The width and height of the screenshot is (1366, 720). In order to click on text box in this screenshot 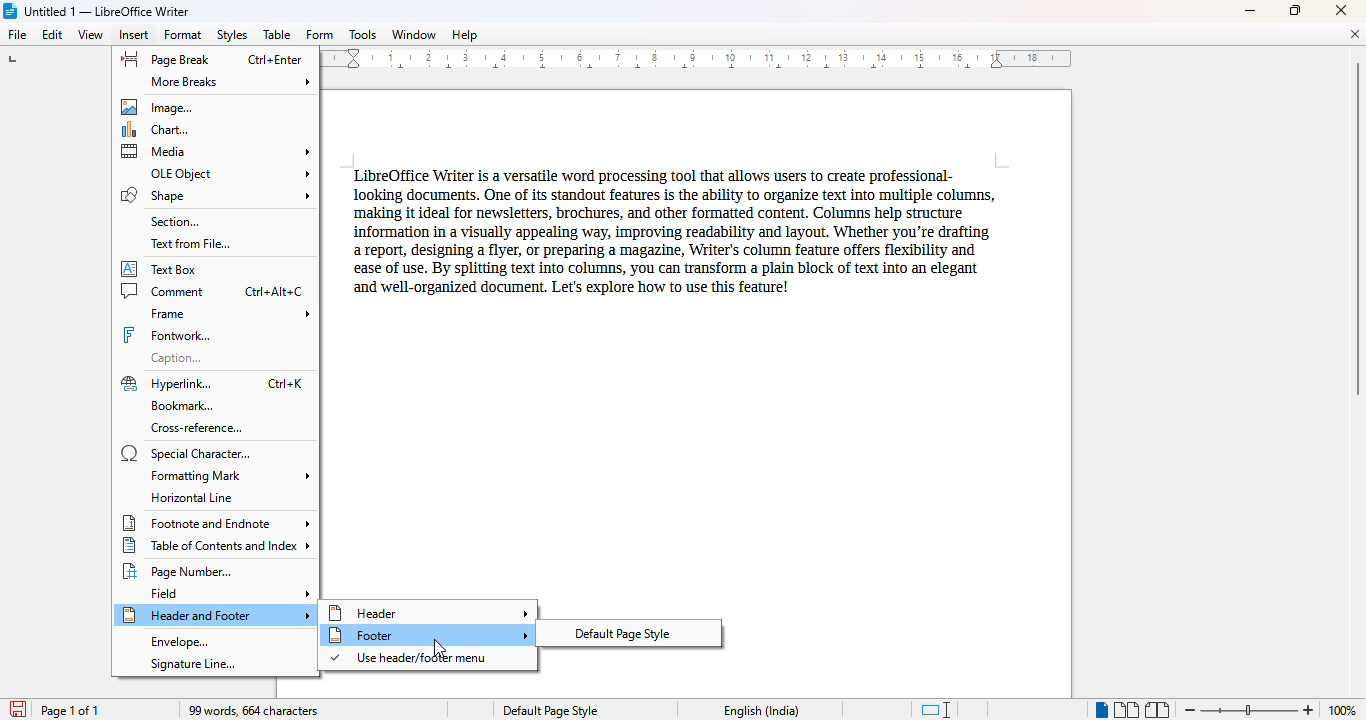, I will do `click(166, 268)`.